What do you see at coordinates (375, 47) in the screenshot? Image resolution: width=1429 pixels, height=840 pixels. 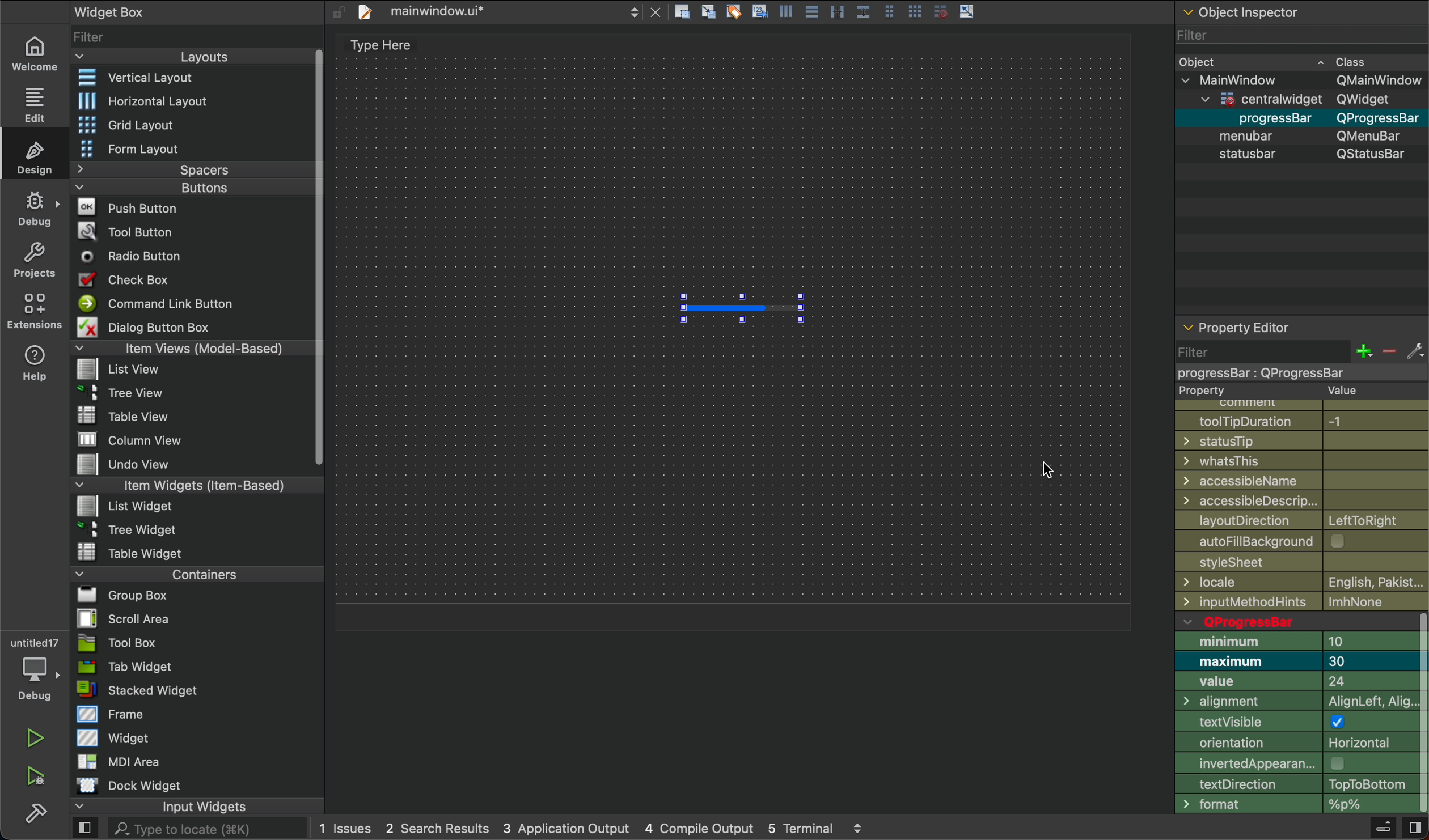 I see `text` at bounding box center [375, 47].